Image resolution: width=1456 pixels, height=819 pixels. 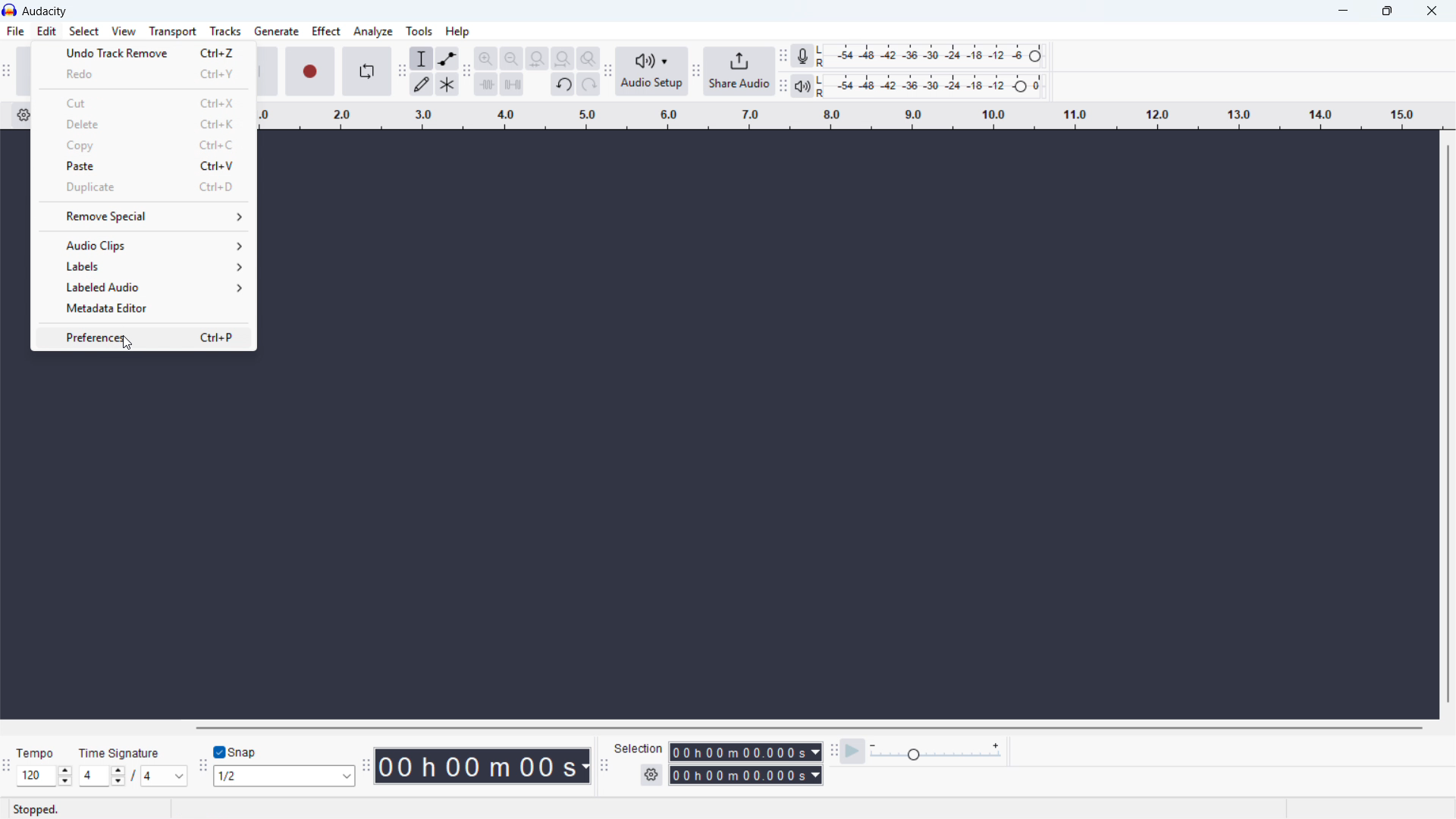 I want to click on fit project to width, so click(x=563, y=58).